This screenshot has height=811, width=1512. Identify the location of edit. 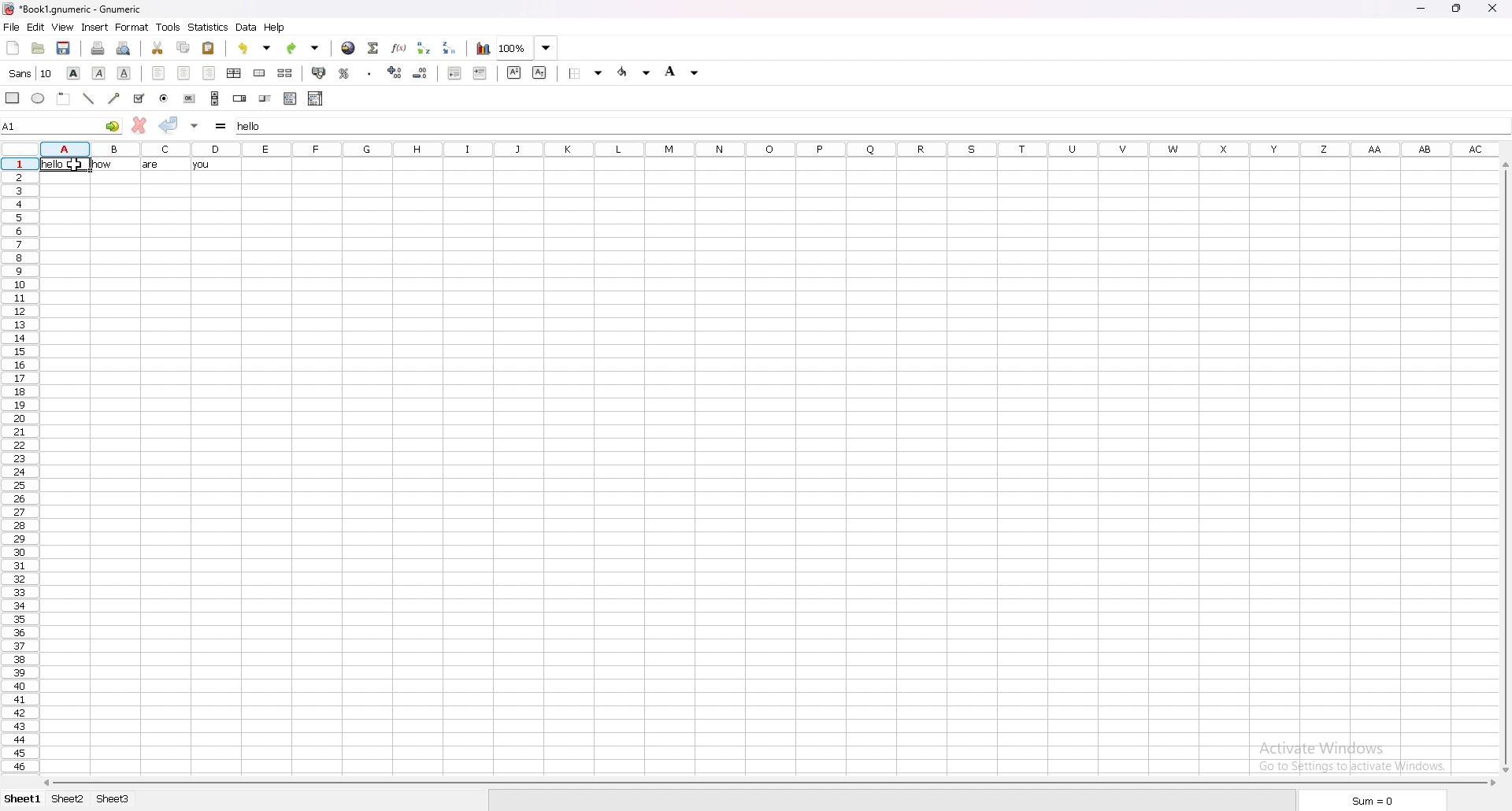
(36, 26).